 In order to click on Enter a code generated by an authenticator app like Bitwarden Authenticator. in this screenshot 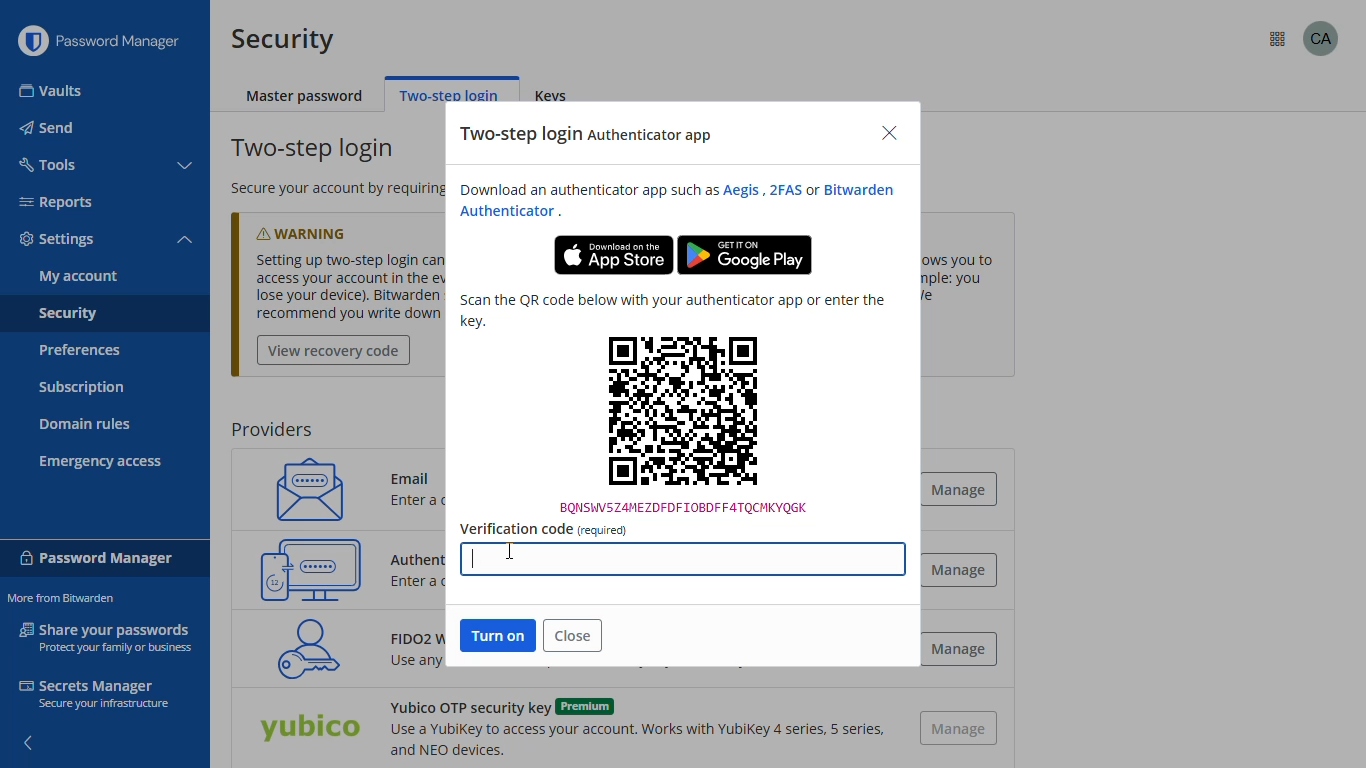, I will do `click(420, 582)`.